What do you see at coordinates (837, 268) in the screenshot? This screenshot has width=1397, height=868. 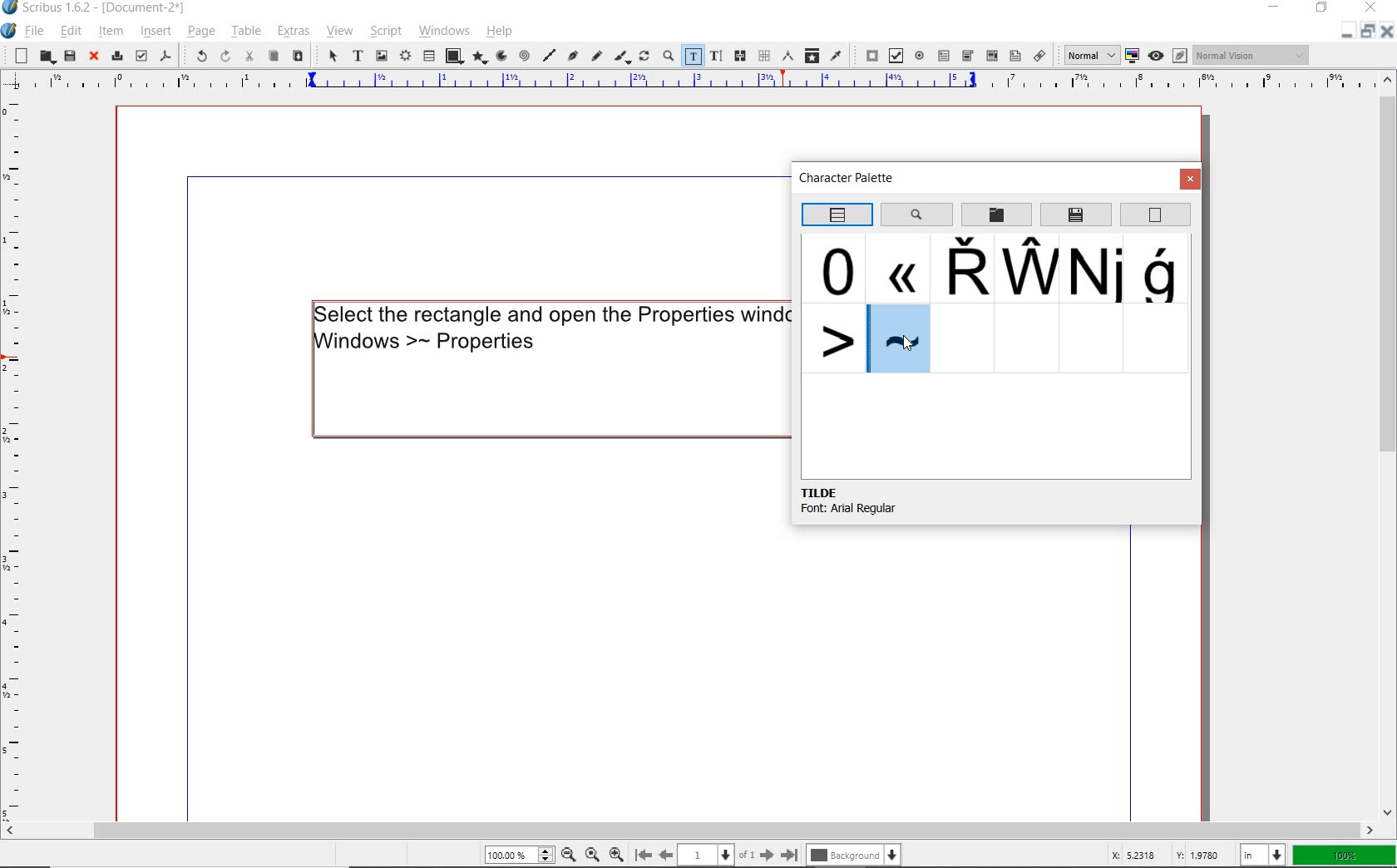 I see `glyphs` at bounding box center [837, 268].